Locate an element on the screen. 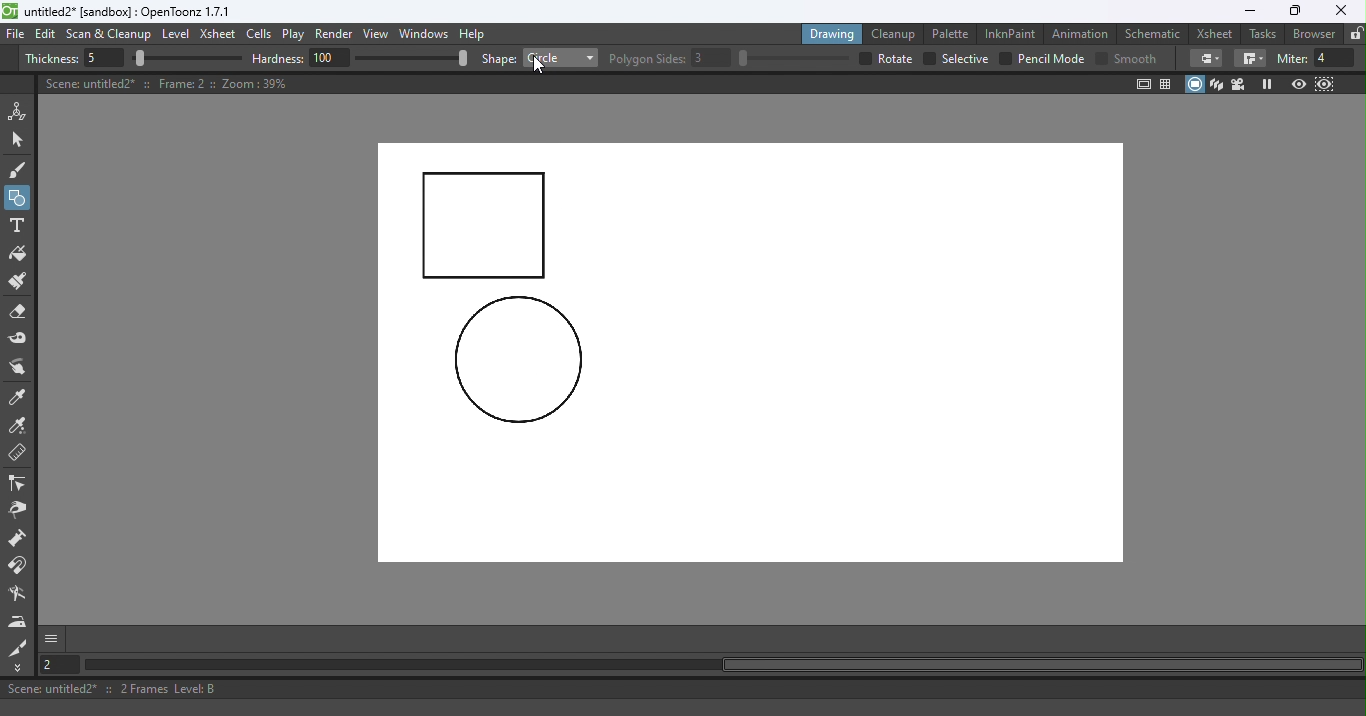  Checkbox  is located at coordinates (1101, 57).